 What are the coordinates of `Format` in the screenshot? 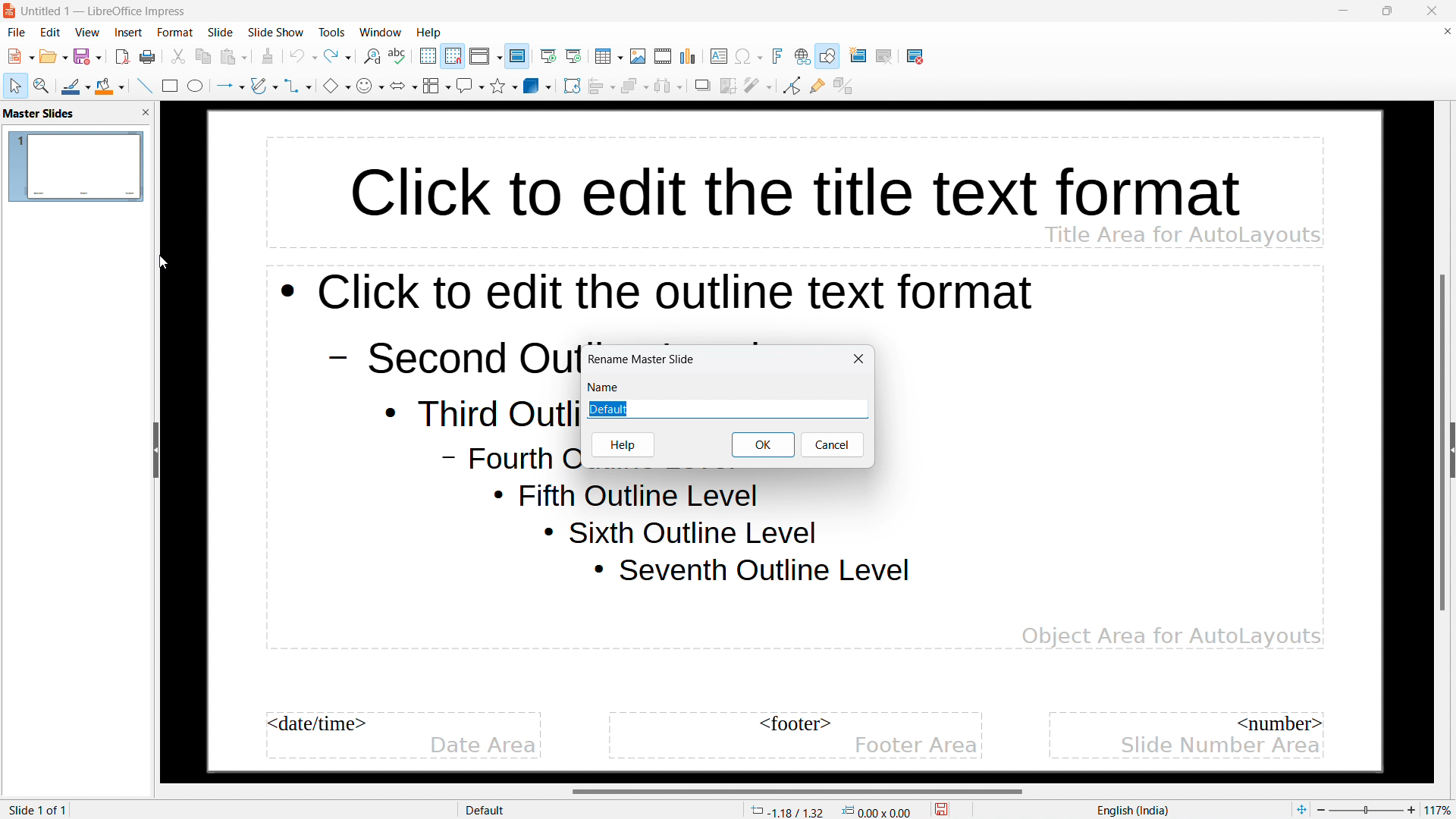 It's located at (175, 32).